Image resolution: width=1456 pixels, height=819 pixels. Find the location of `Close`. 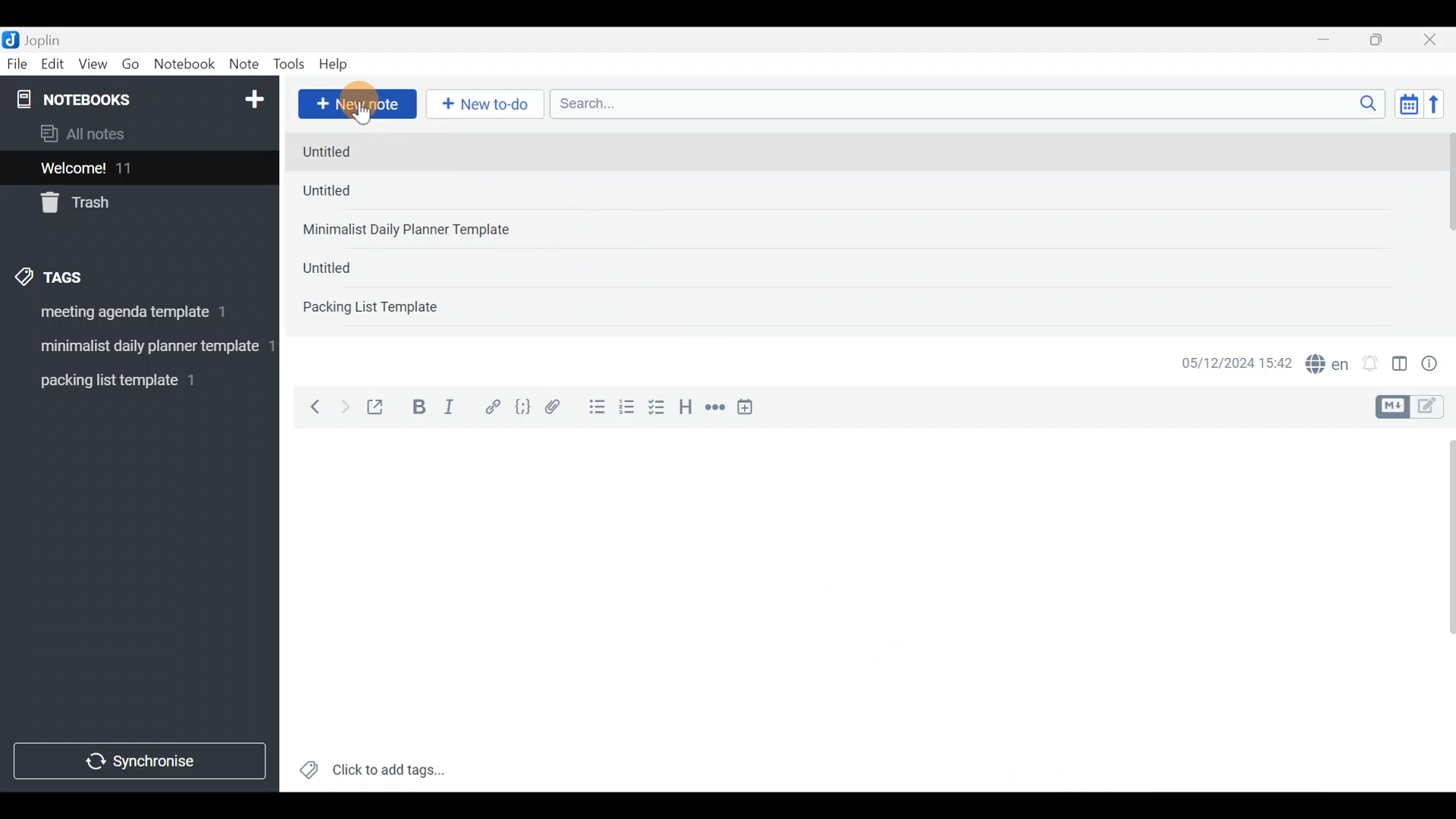

Close is located at coordinates (1432, 41).